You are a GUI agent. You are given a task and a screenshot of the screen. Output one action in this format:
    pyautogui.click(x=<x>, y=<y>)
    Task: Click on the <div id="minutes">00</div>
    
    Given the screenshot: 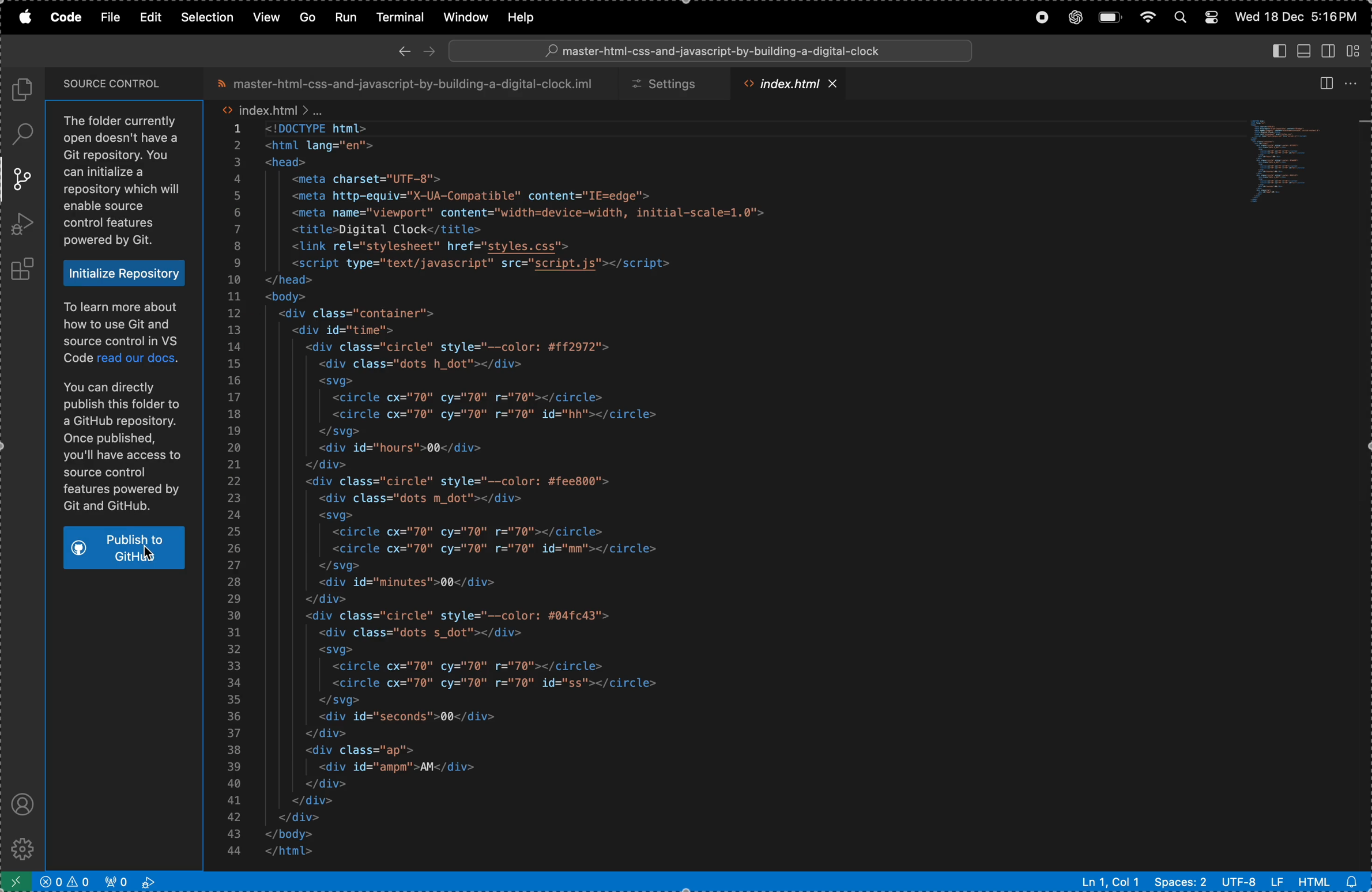 What is the action you would take?
    pyautogui.click(x=415, y=583)
    